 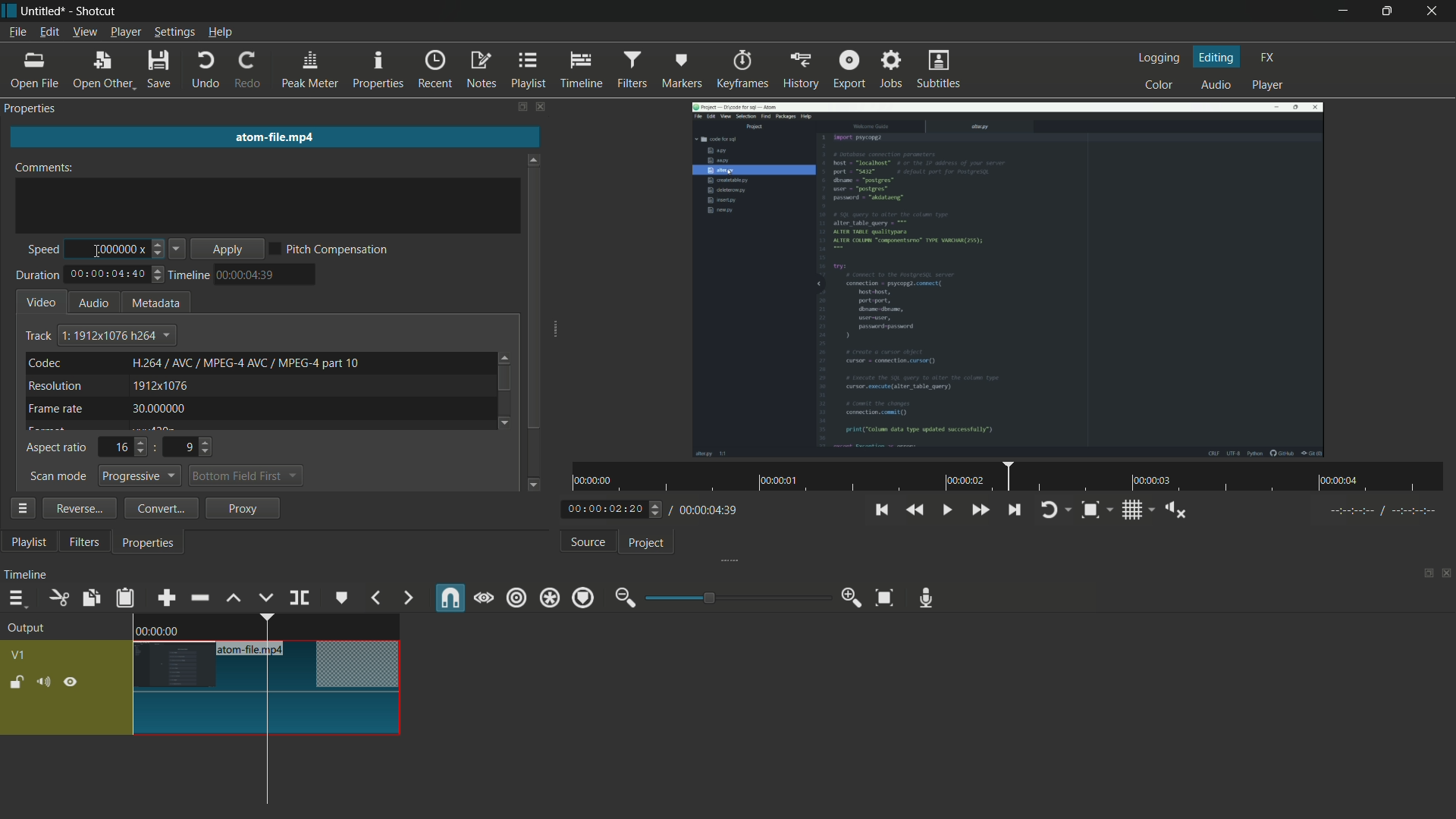 I want to click on export, so click(x=850, y=70).